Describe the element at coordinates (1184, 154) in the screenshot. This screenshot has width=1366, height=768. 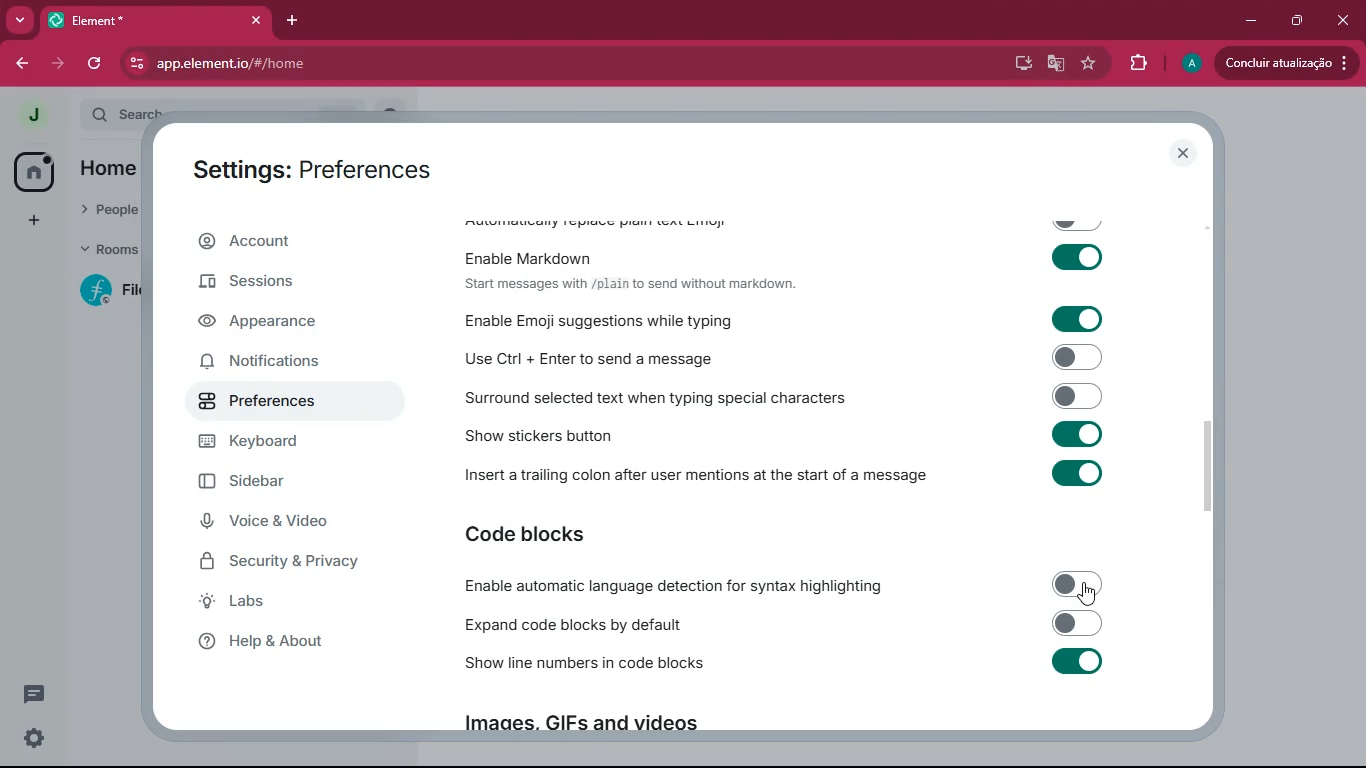
I see `close` at that location.